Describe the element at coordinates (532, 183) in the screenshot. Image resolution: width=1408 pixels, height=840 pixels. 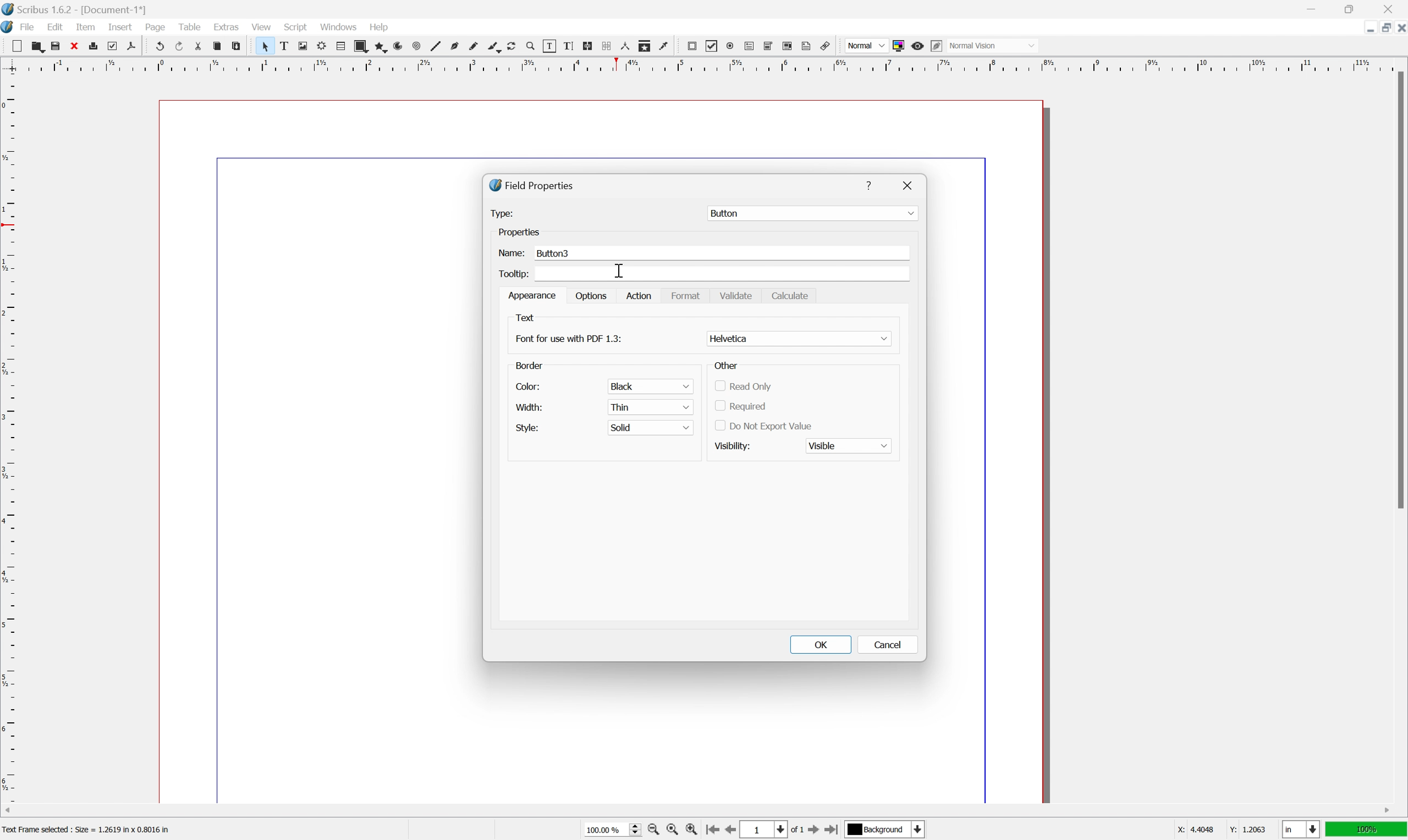
I see `Field Properties` at that location.